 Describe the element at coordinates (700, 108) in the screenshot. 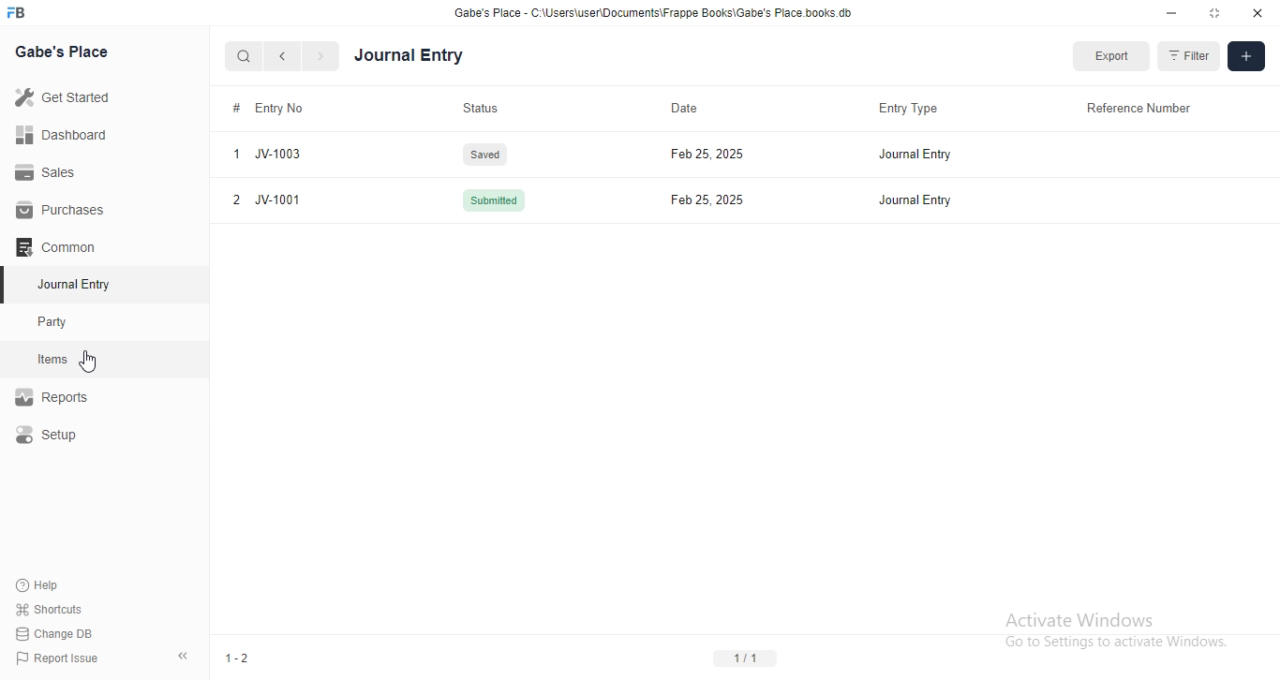

I see `Date` at that location.